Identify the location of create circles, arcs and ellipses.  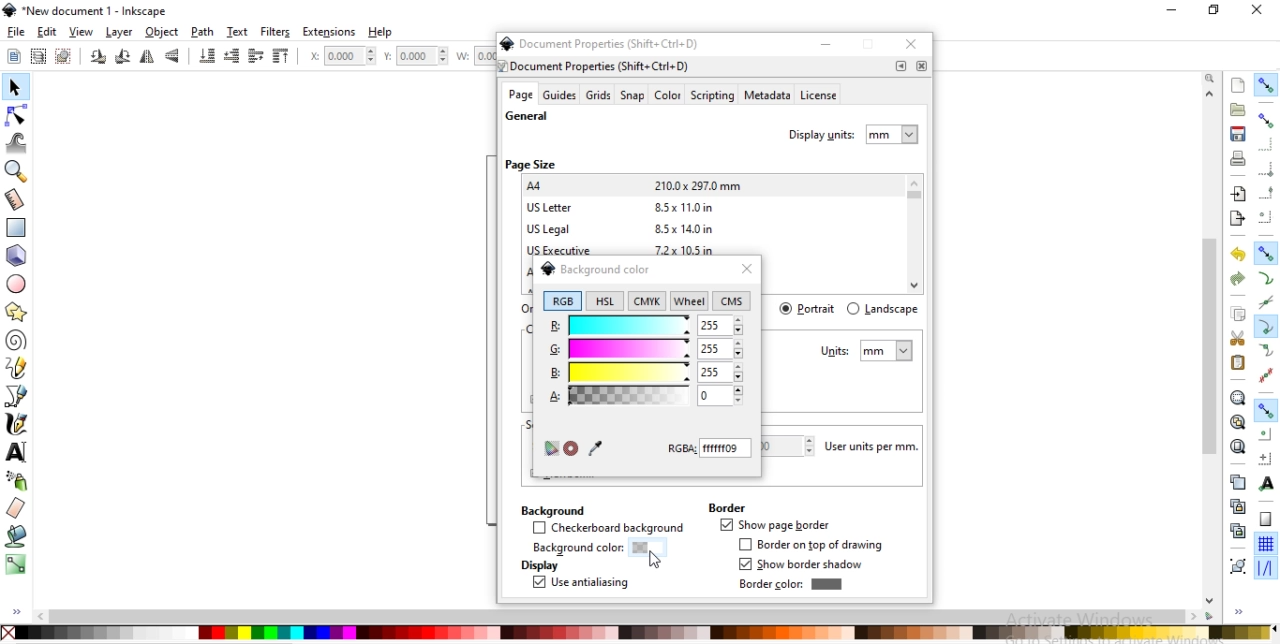
(18, 285).